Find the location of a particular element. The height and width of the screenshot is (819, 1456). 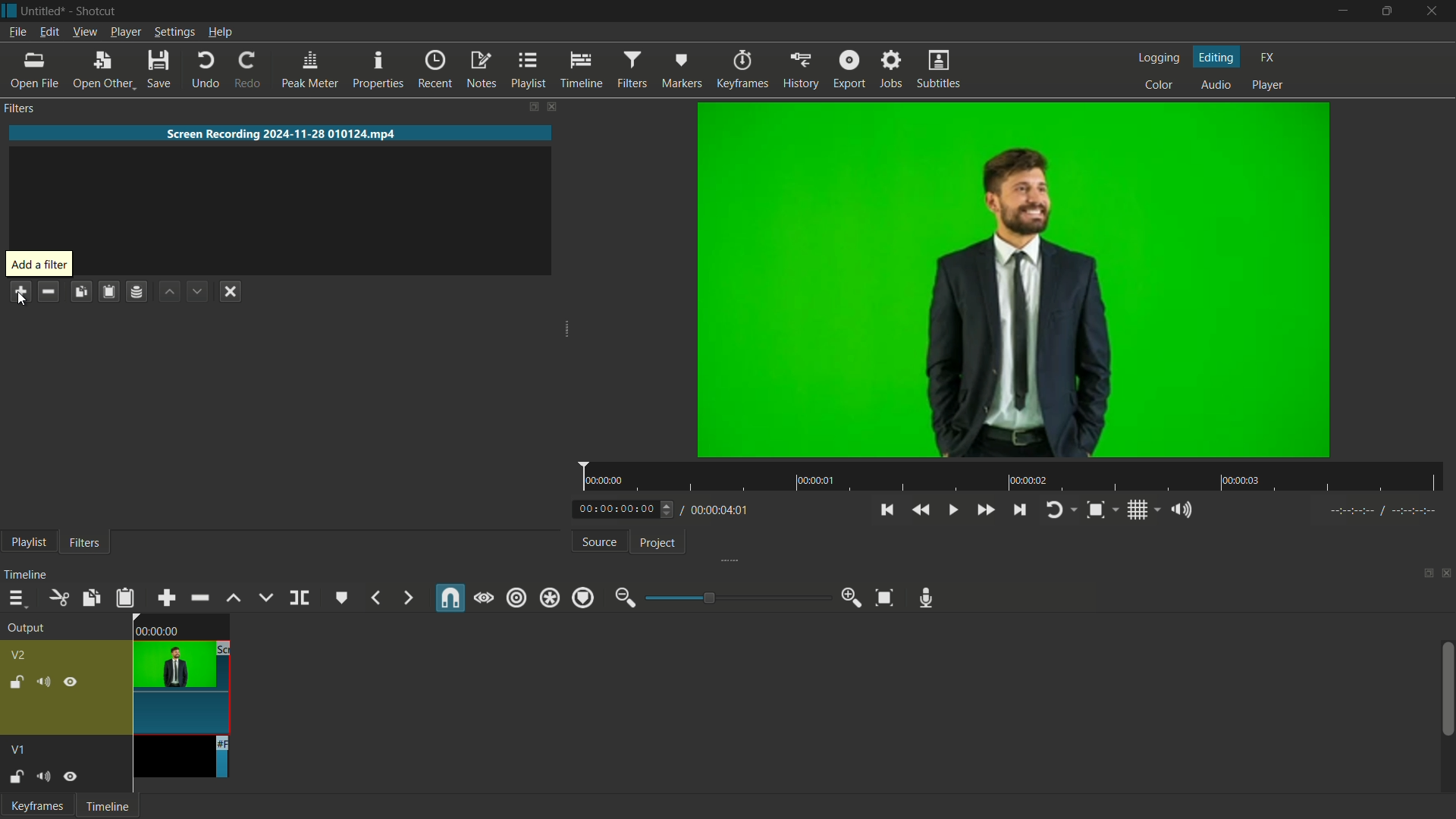

current time is located at coordinates (616, 508).